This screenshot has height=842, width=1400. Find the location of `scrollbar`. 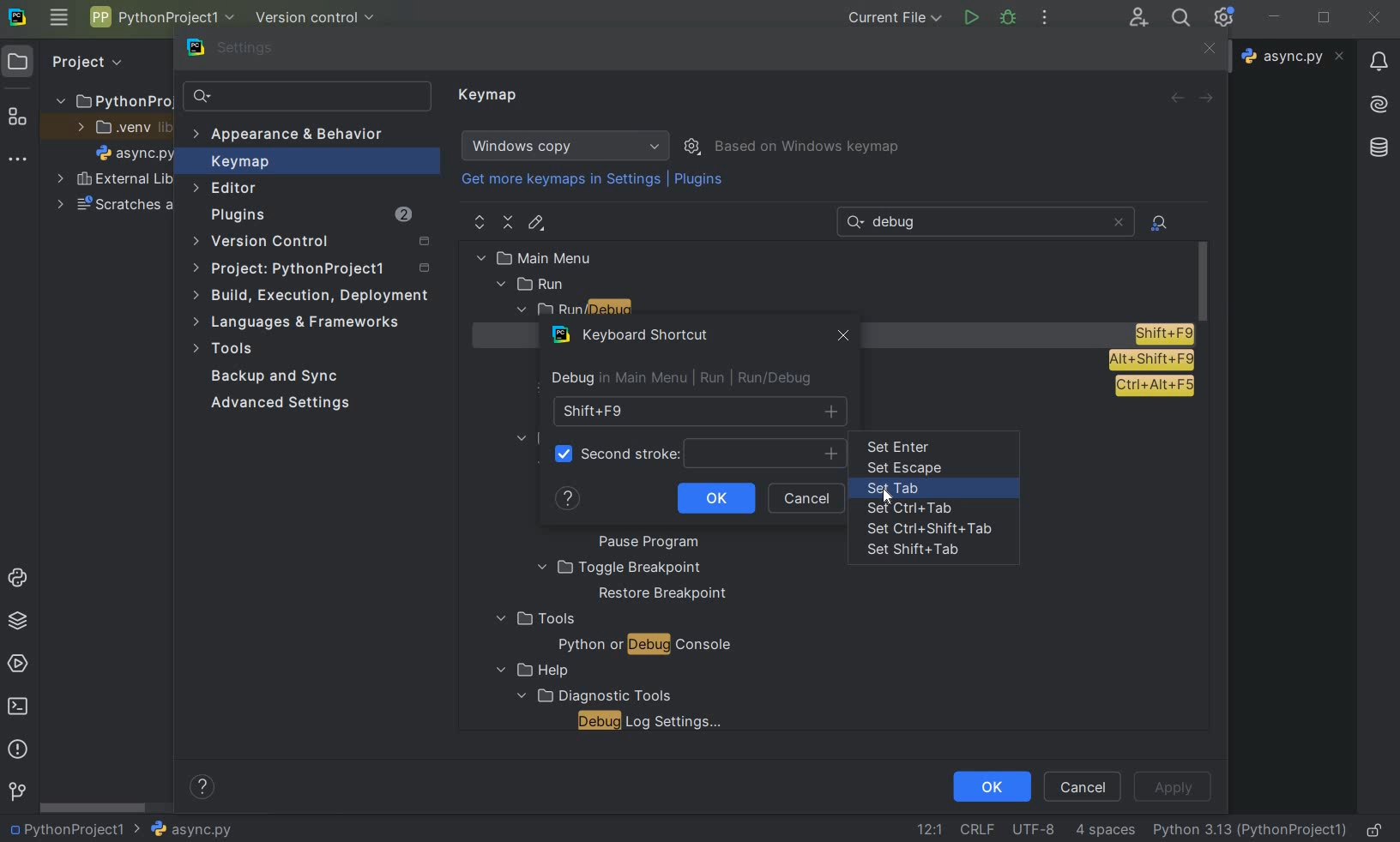

scrollbar is located at coordinates (94, 808).